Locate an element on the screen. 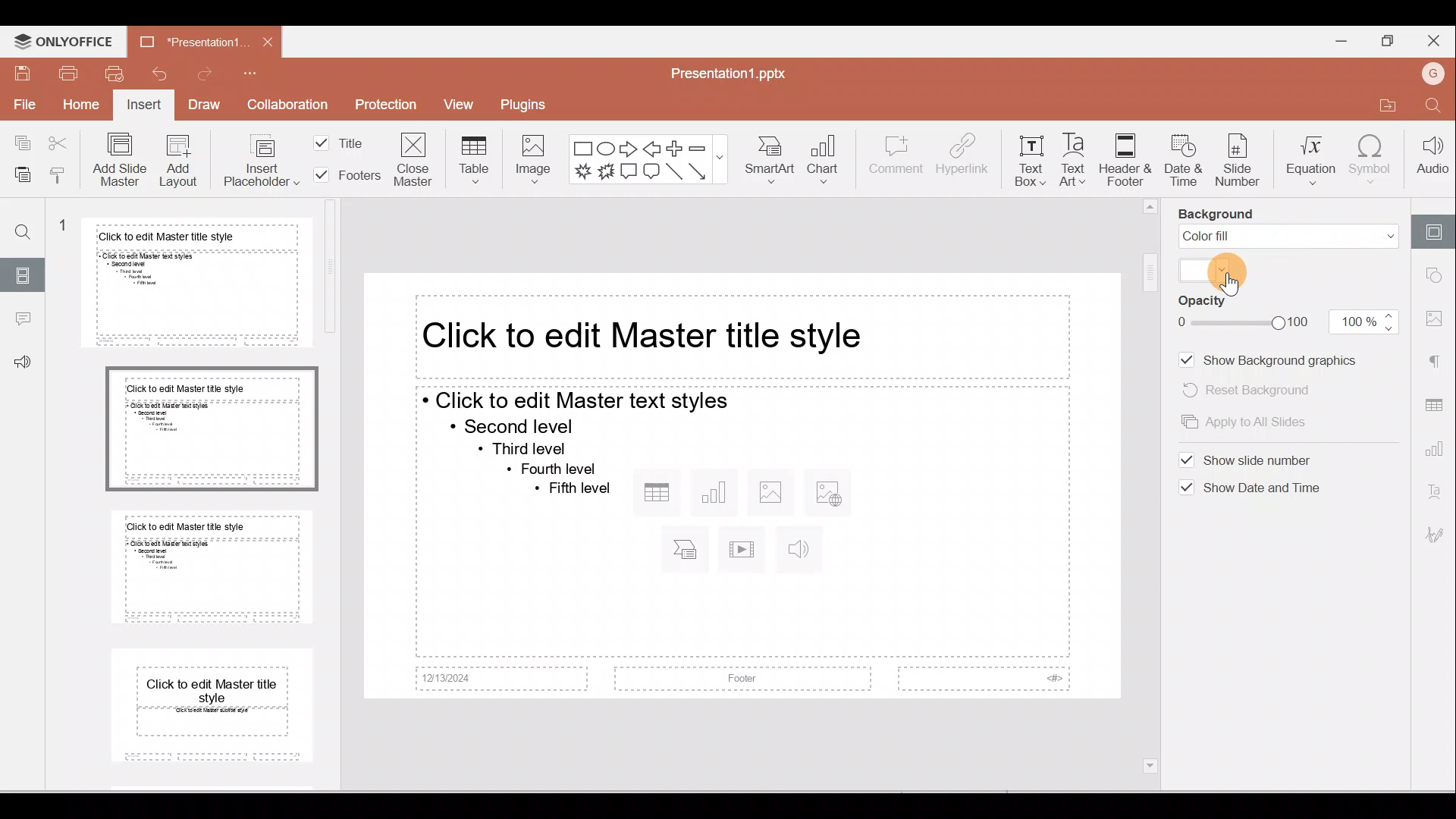 The width and height of the screenshot is (1456, 819). Close master is located at coordinates (413, 162).